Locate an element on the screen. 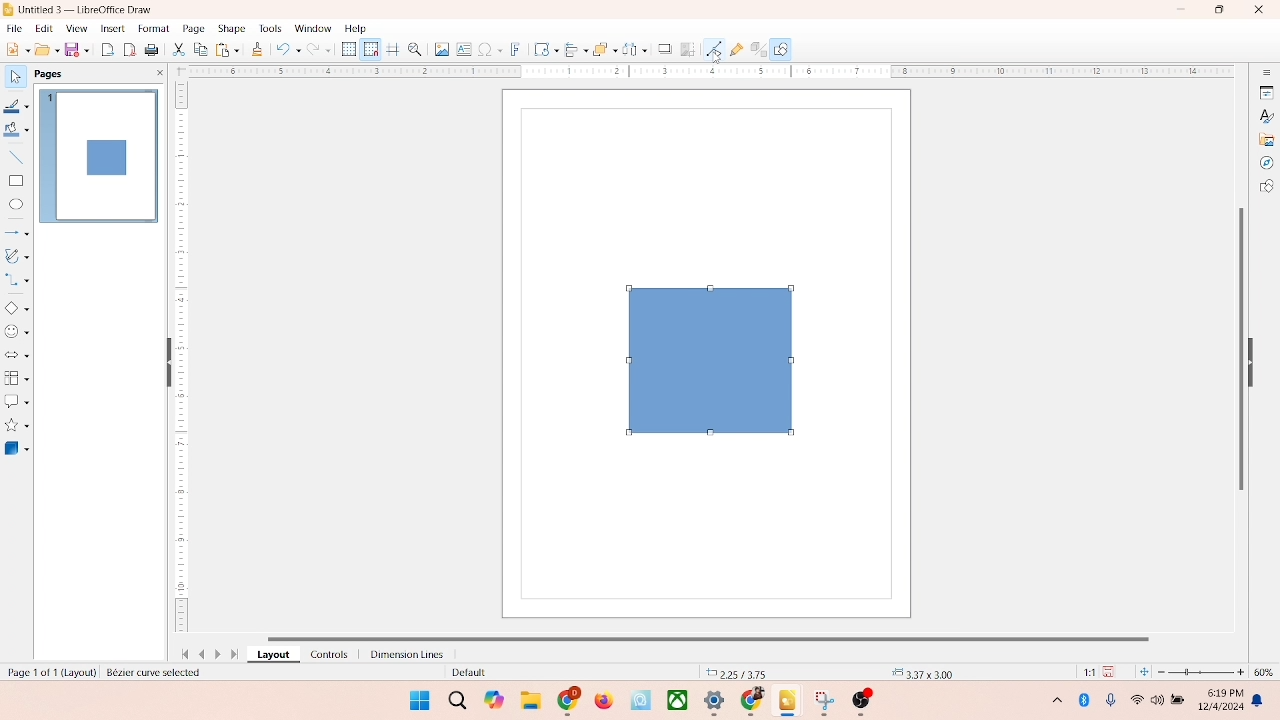 Image resolution: width=1280 pixels, height=720 pixels. windows is located at coordinates (417, 700).